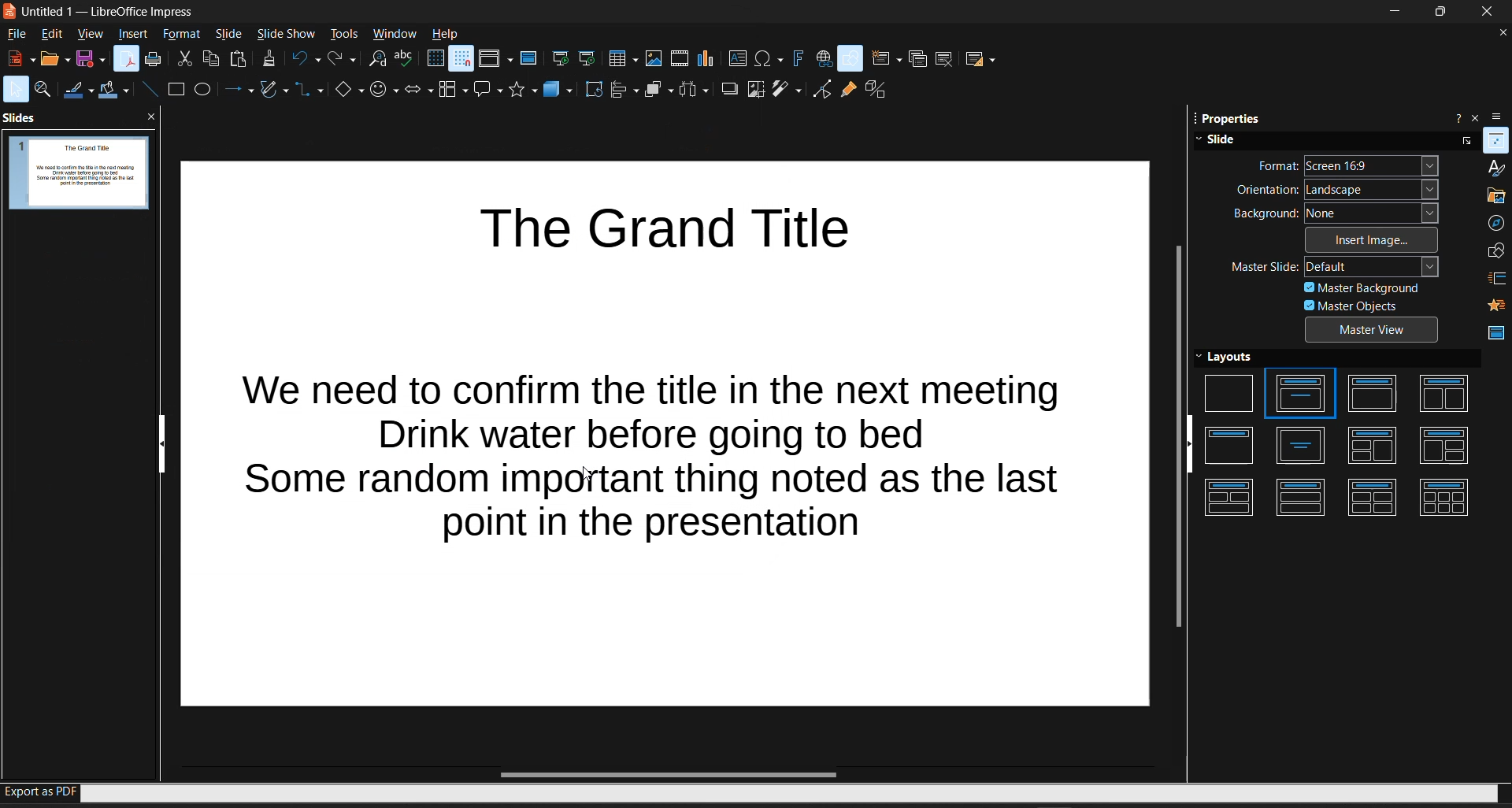 The image size is (1512, 808). I want to click on properties, so click(1496, 141).